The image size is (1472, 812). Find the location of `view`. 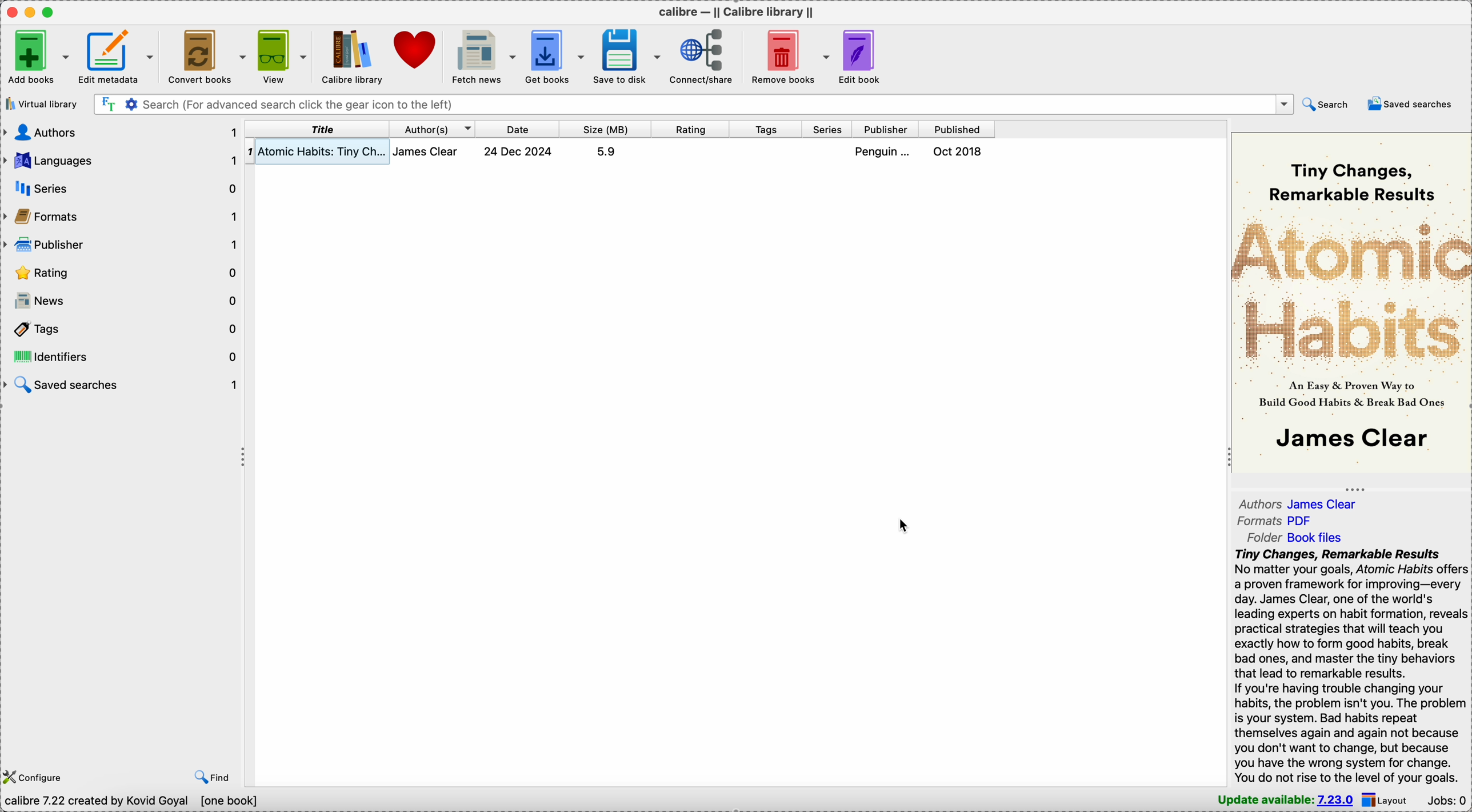

view is located at coordinates (281, 54).